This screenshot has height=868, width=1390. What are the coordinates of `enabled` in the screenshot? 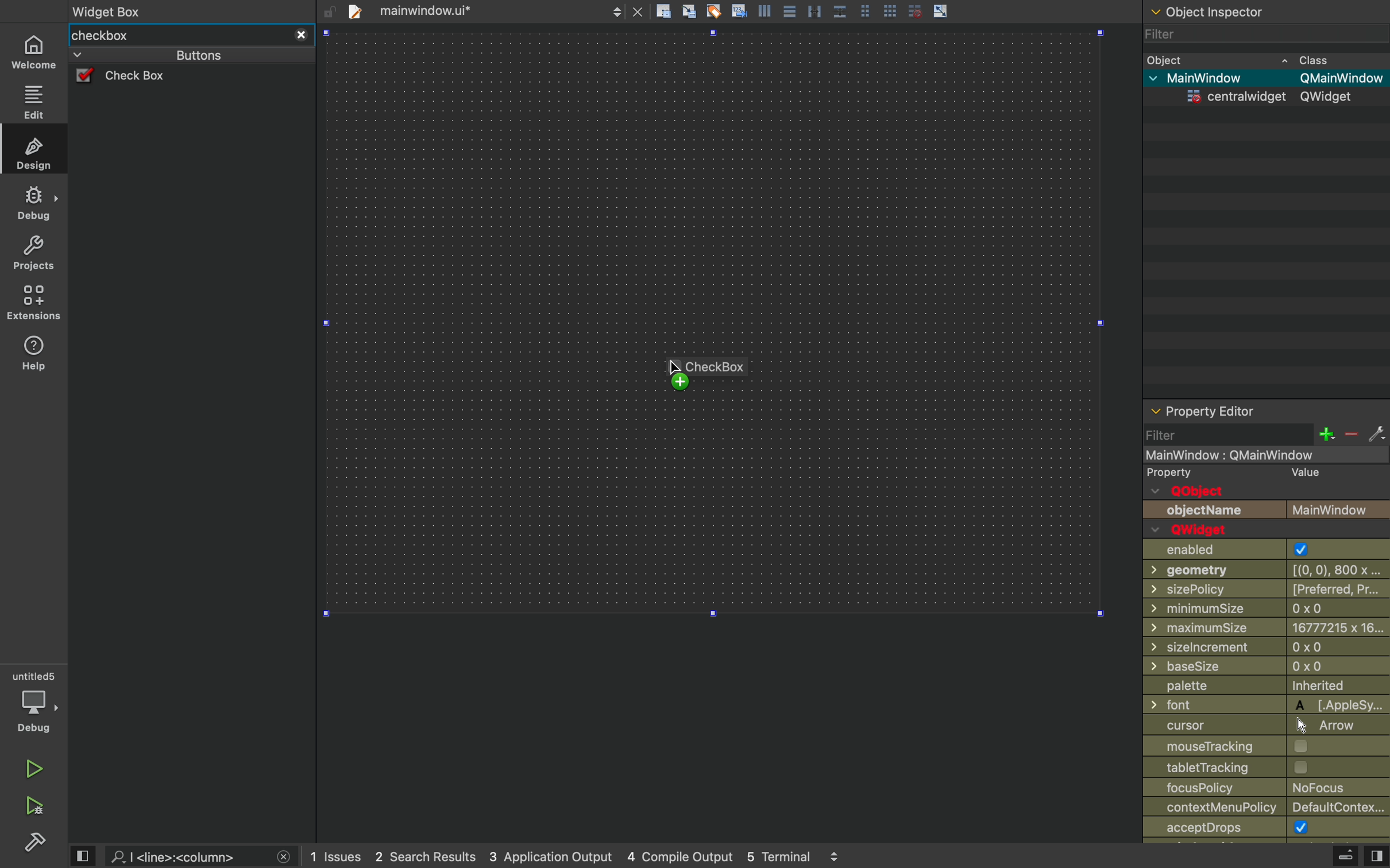 It's located at (1257, 550).